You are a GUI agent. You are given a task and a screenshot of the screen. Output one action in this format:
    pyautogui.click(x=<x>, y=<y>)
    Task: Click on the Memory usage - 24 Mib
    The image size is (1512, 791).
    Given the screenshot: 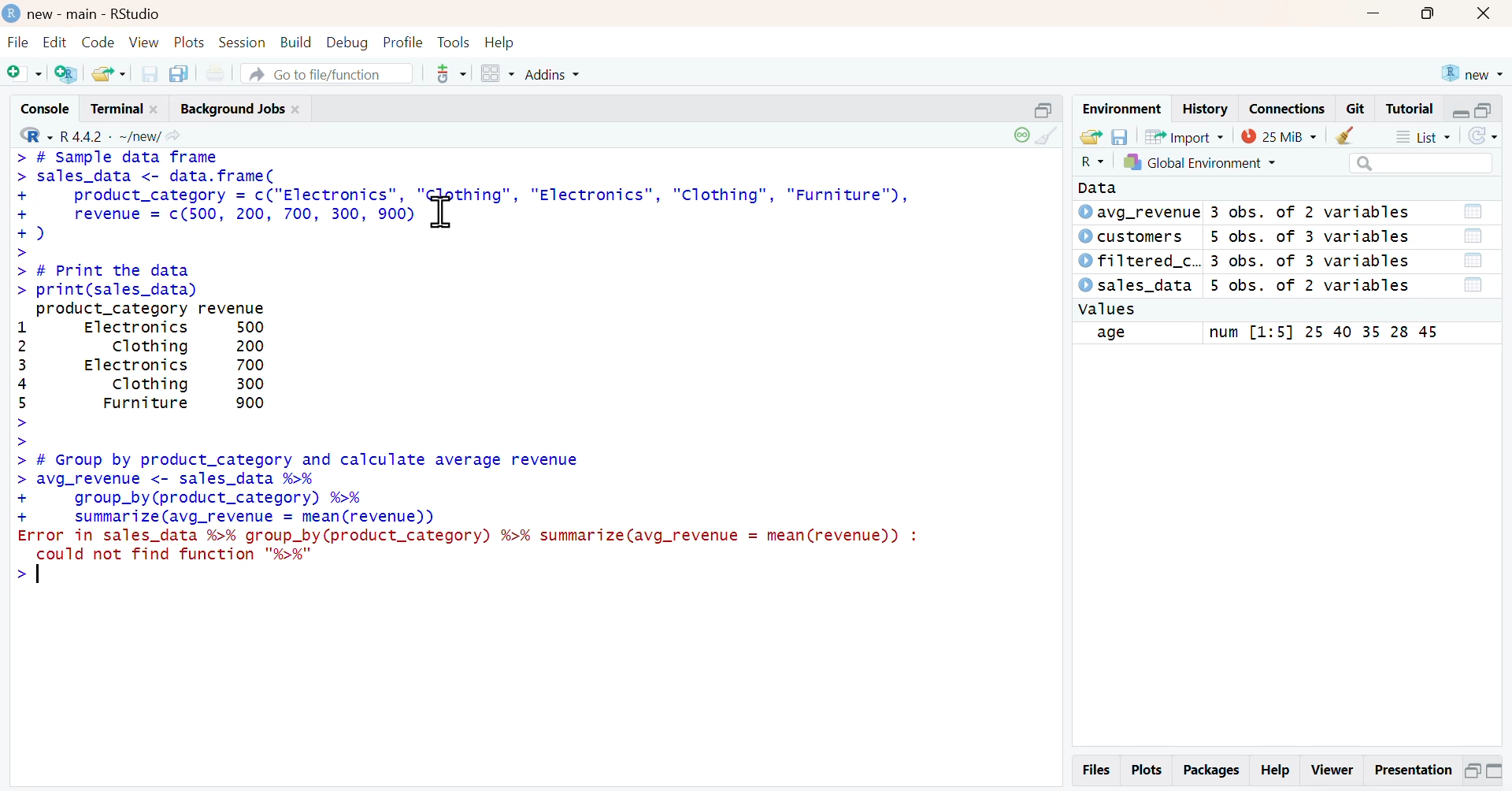 What is the action you would take?
    pyautogui.click(x=1279, y=135)
    